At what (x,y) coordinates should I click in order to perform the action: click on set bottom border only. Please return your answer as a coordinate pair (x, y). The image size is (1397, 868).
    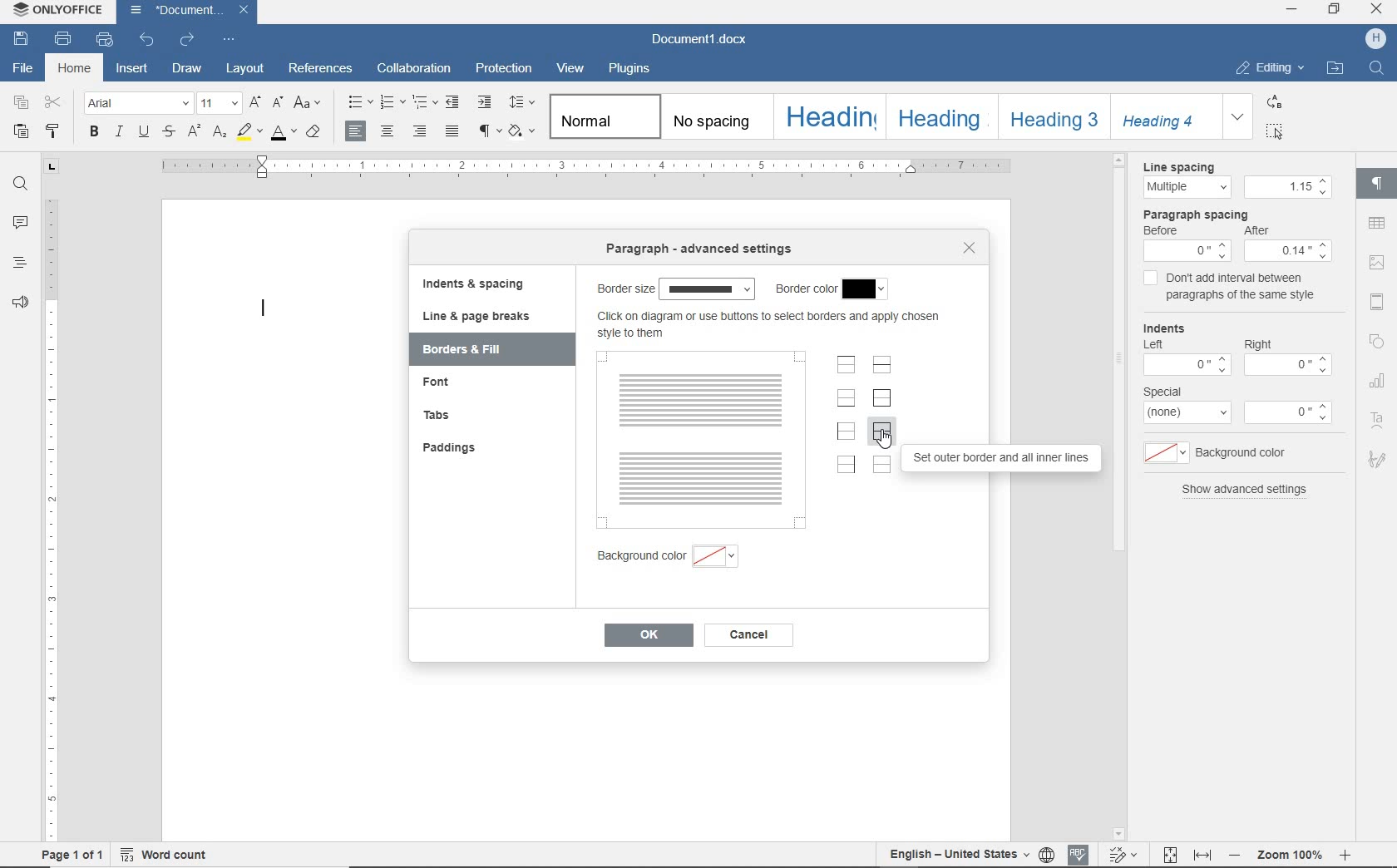
    Looking at the image, I should click on (847, 400).